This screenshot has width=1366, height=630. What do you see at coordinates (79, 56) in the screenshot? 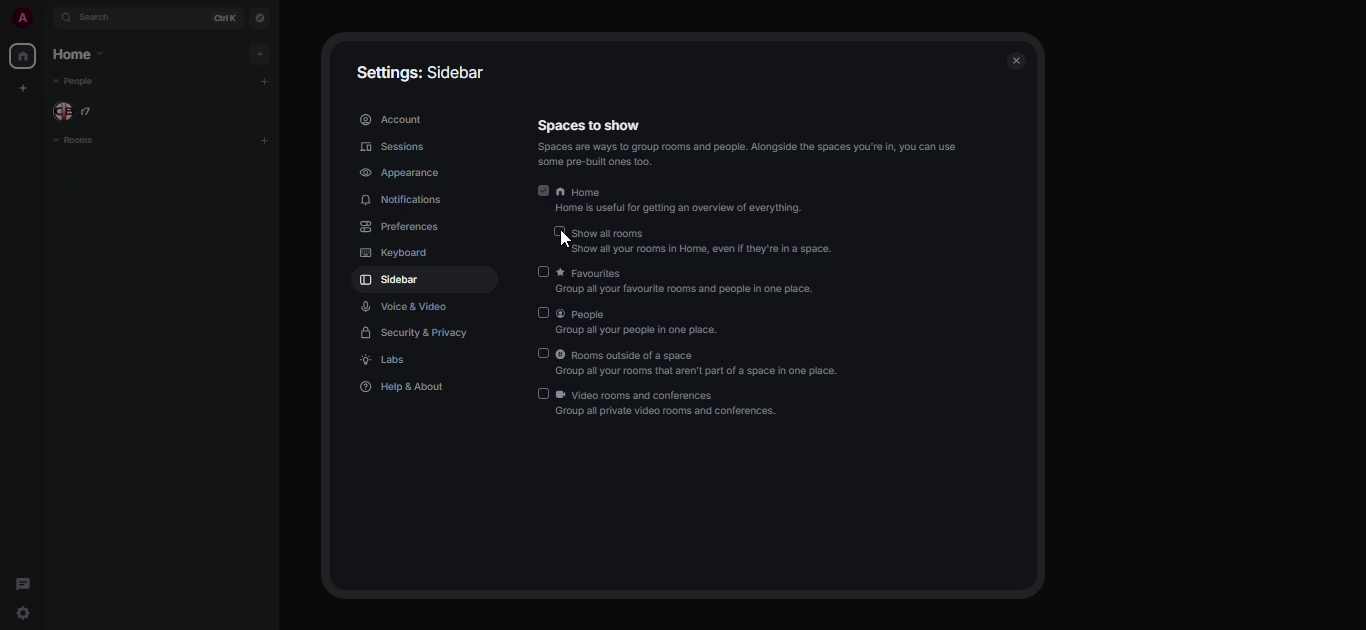
I see `home` at bounding box center [79, 56].